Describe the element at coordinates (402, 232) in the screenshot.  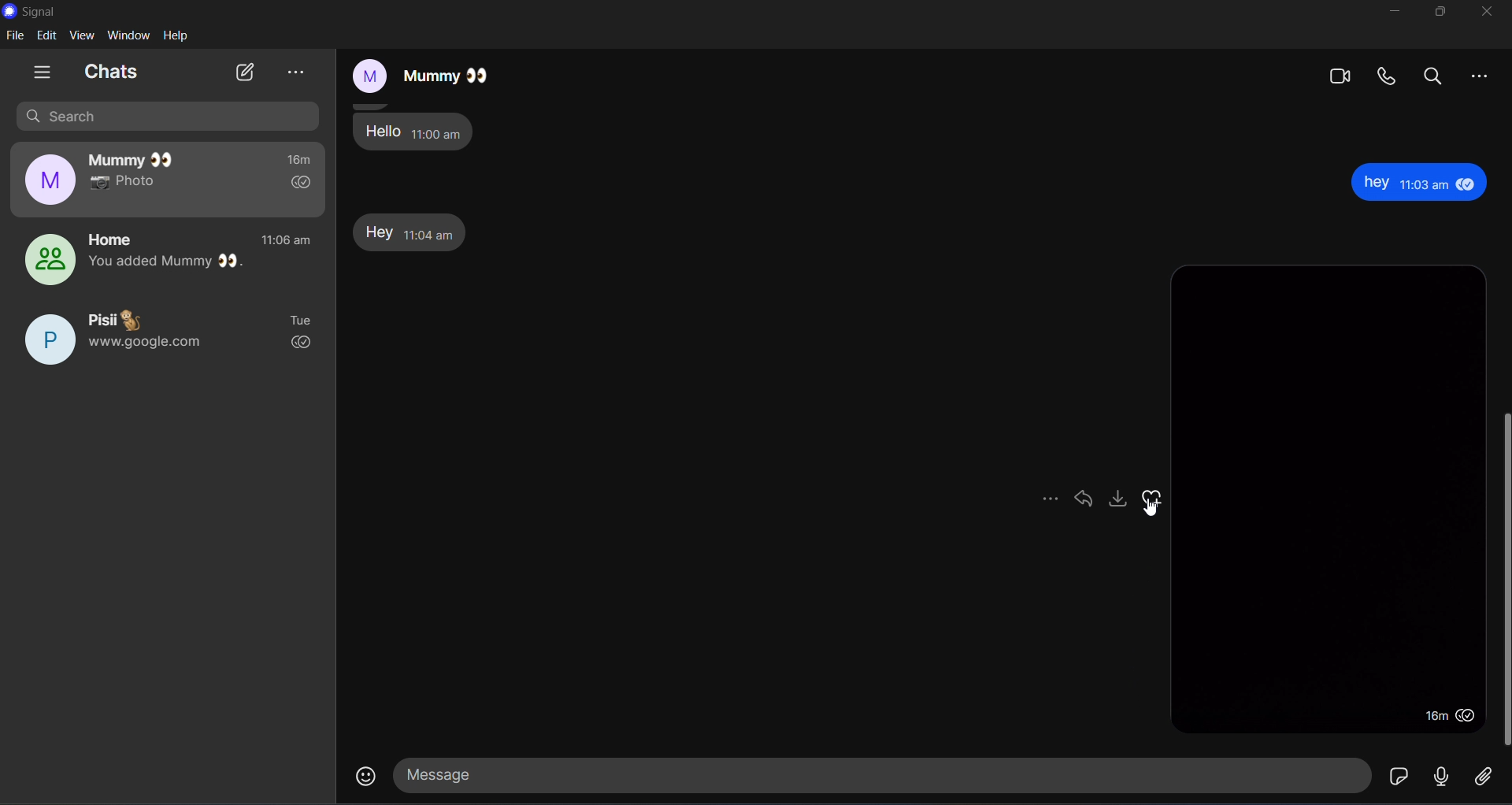
I see `Hey message` at that location.